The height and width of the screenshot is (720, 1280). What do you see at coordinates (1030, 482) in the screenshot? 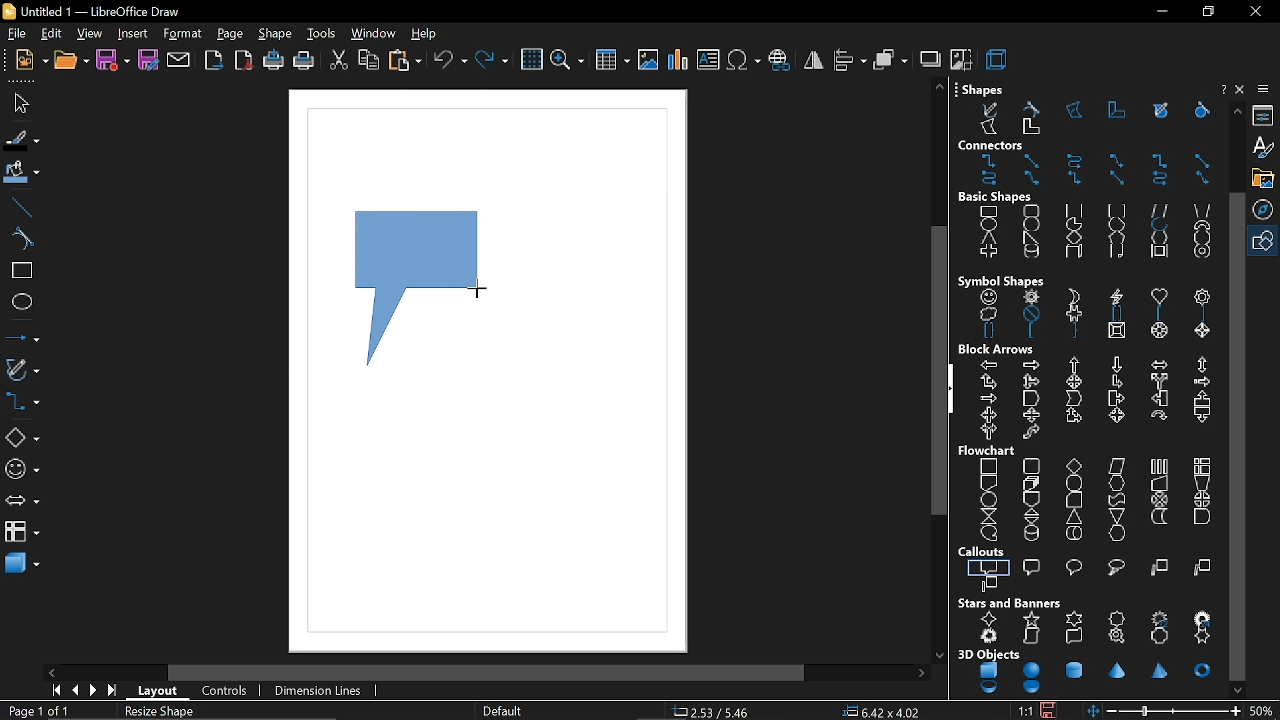
I see `multidocument` at bounding box center [1030, 482].